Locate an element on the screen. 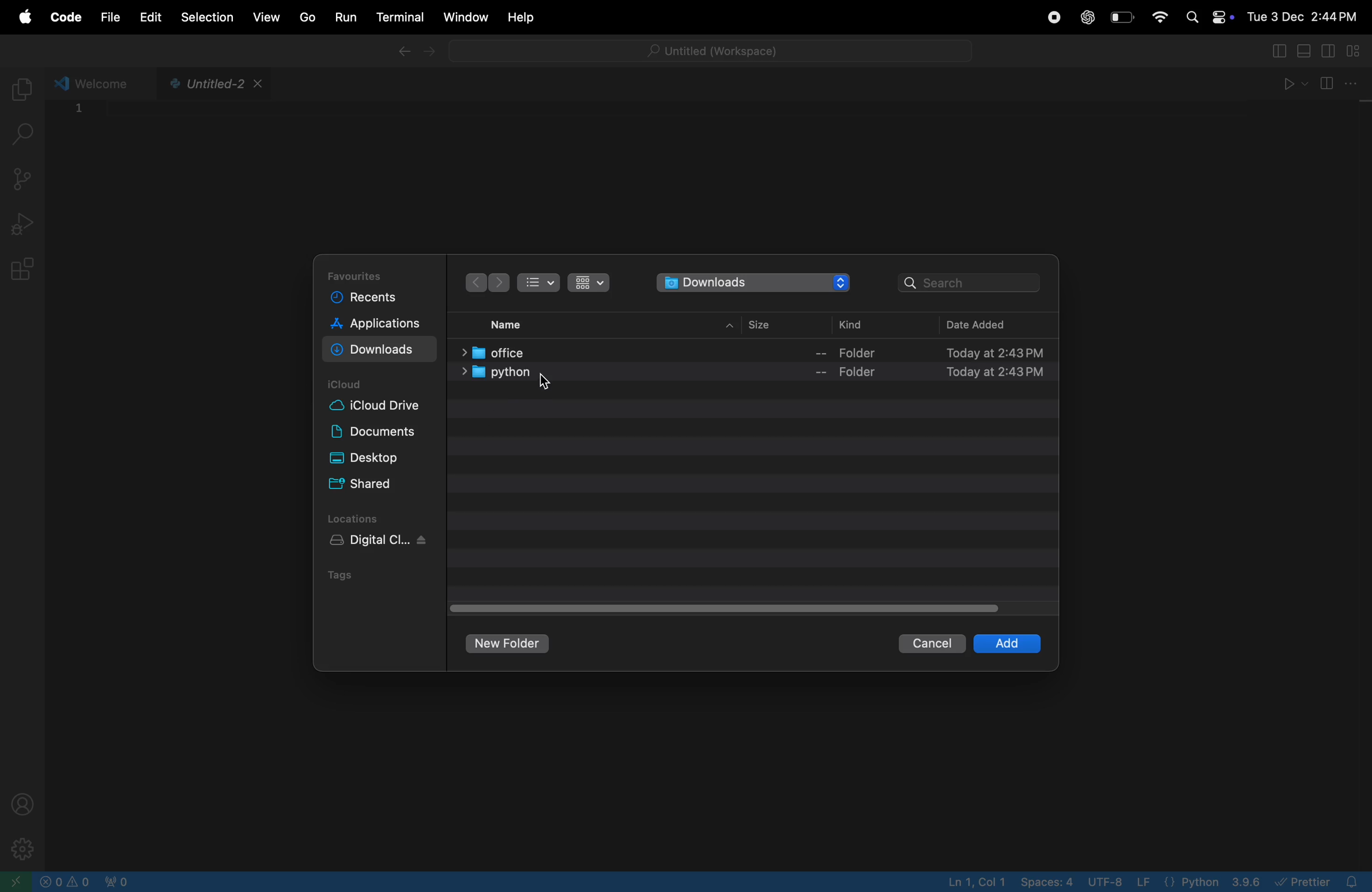  tags is located at coordinates (342, 577).